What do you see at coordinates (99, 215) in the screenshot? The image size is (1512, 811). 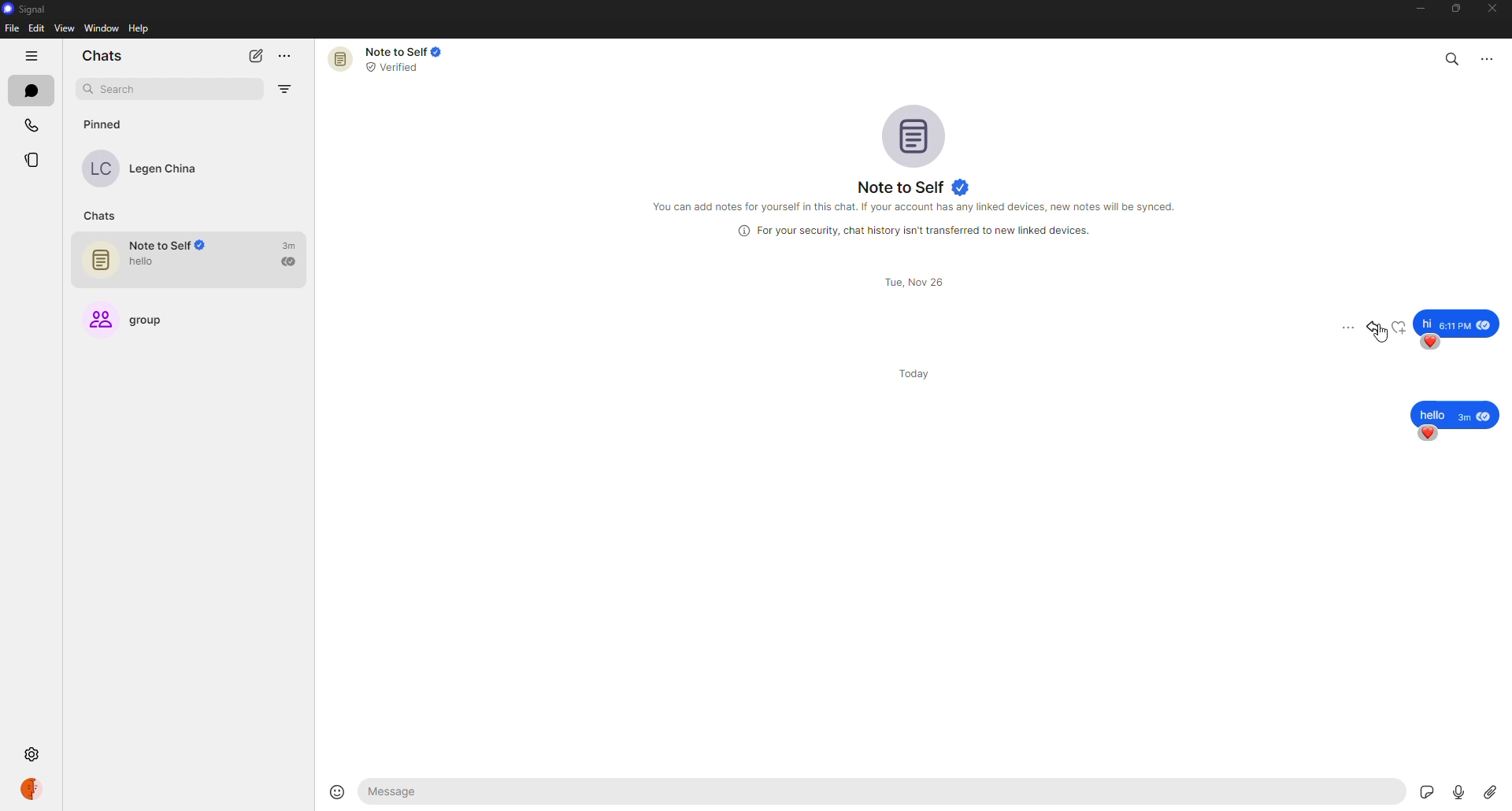 I see `chats` at bounding box center [99, 215].